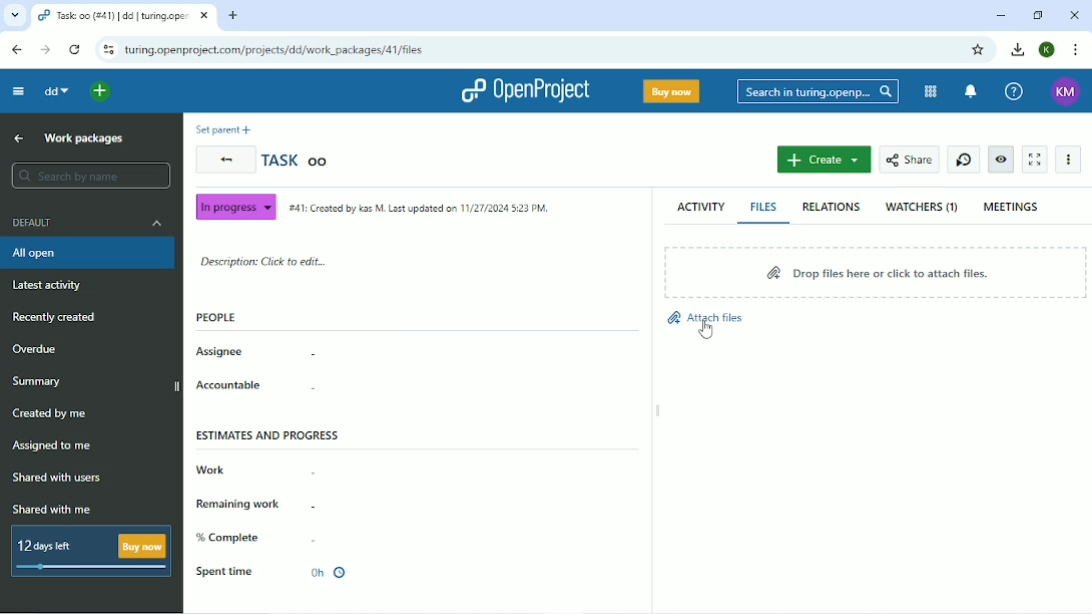 The image size is (1092, 614). I want to click on Restore down, so click(1037, 15).